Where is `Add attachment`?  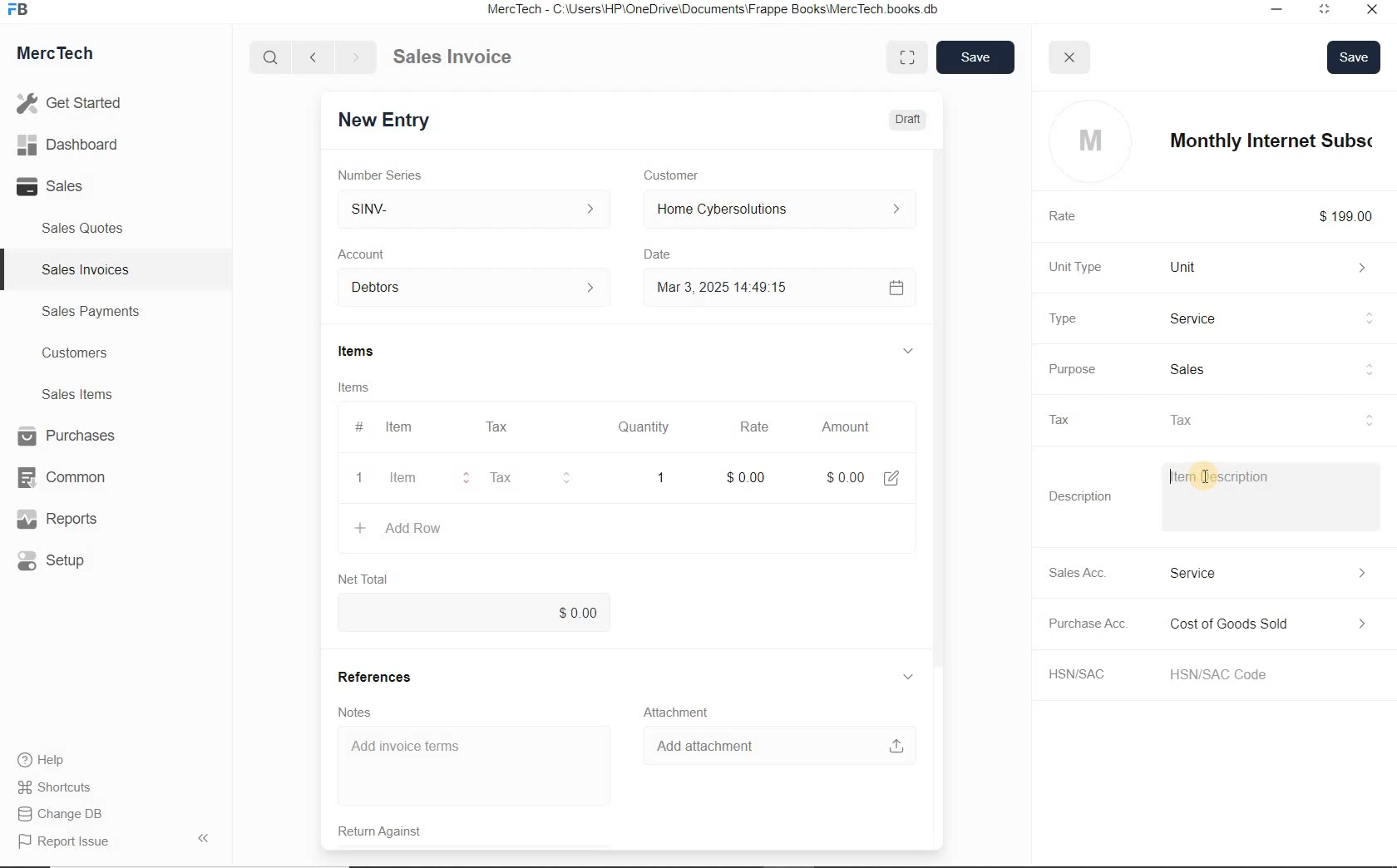
Add attachment is located at coordinates (770, 745).